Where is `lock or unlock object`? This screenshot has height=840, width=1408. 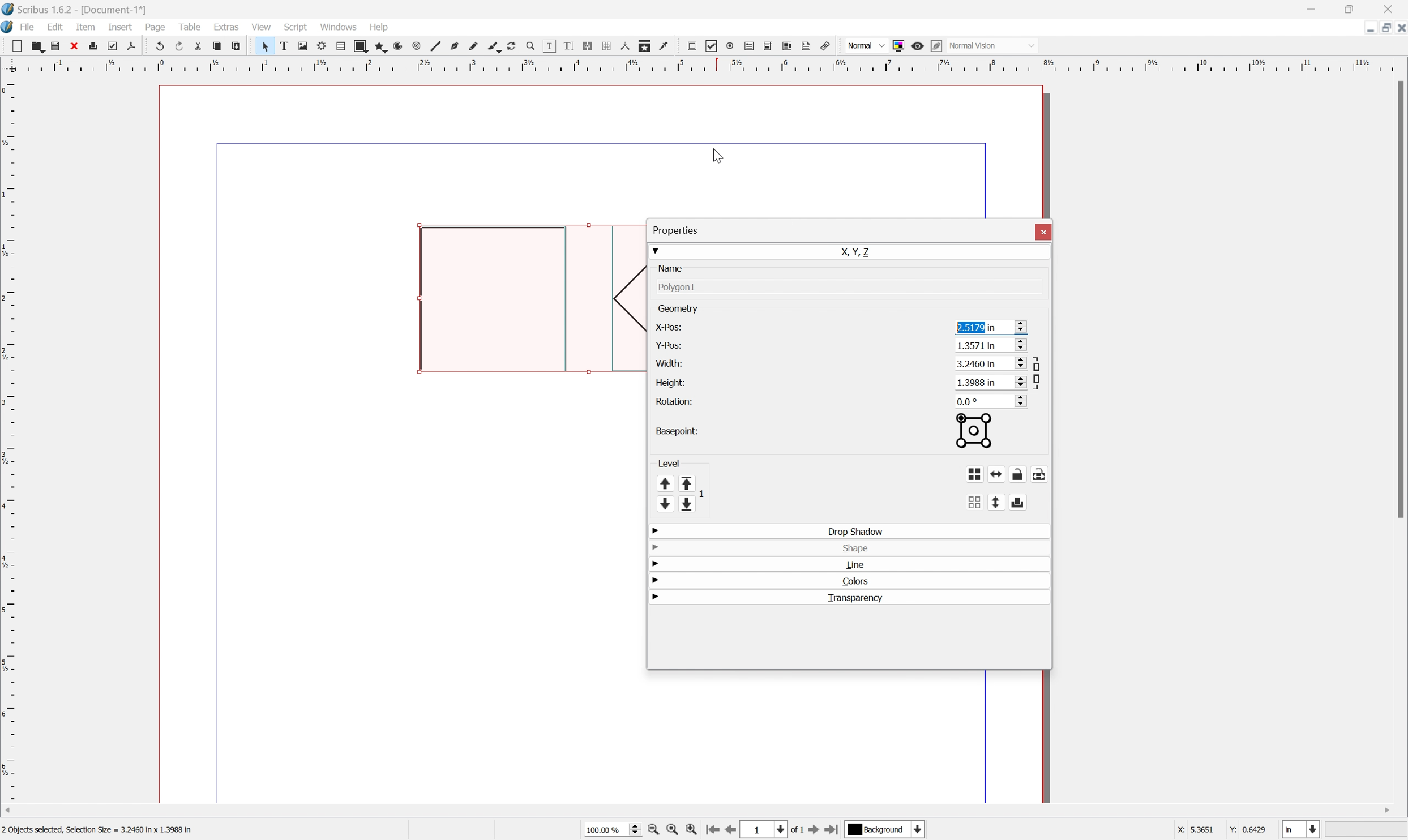 lock or unlock object is located at coordinates (1016, 474).